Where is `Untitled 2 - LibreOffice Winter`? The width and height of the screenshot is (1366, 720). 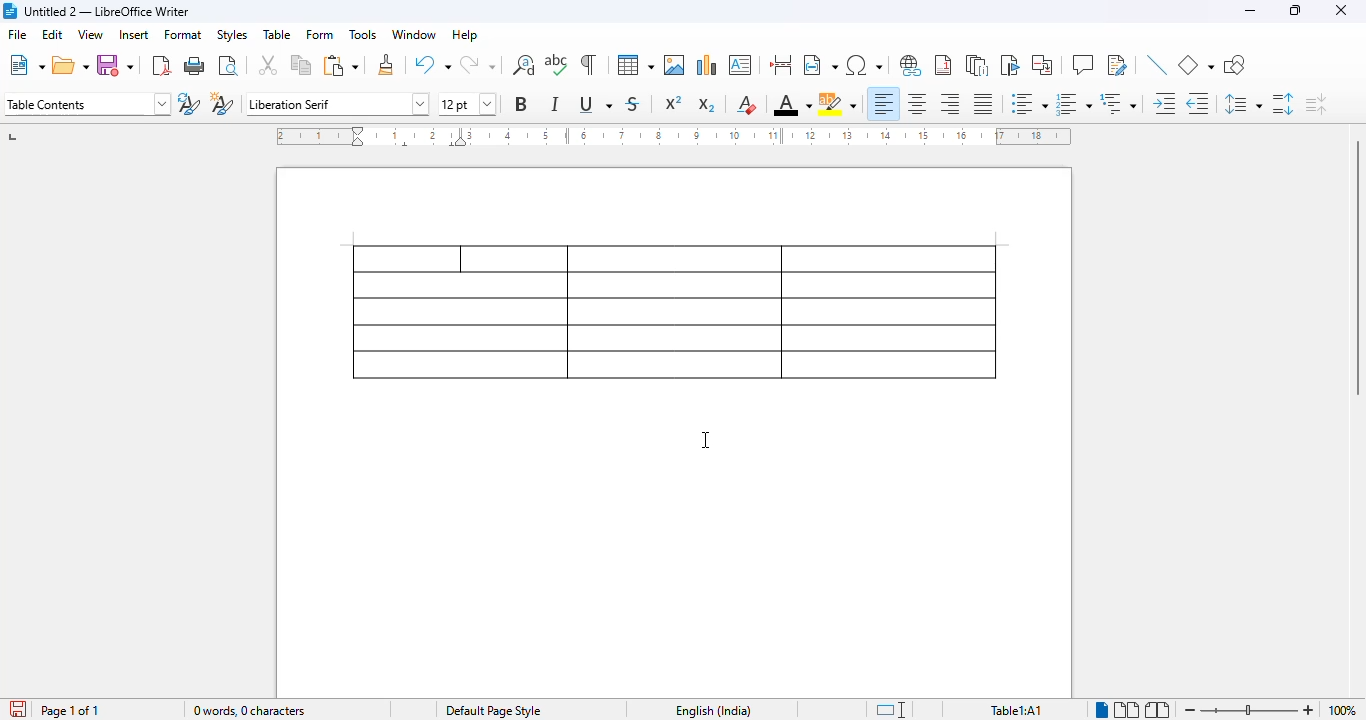 Untitled 2 - LibreOffice Winter is located at coordinates (108, 10).